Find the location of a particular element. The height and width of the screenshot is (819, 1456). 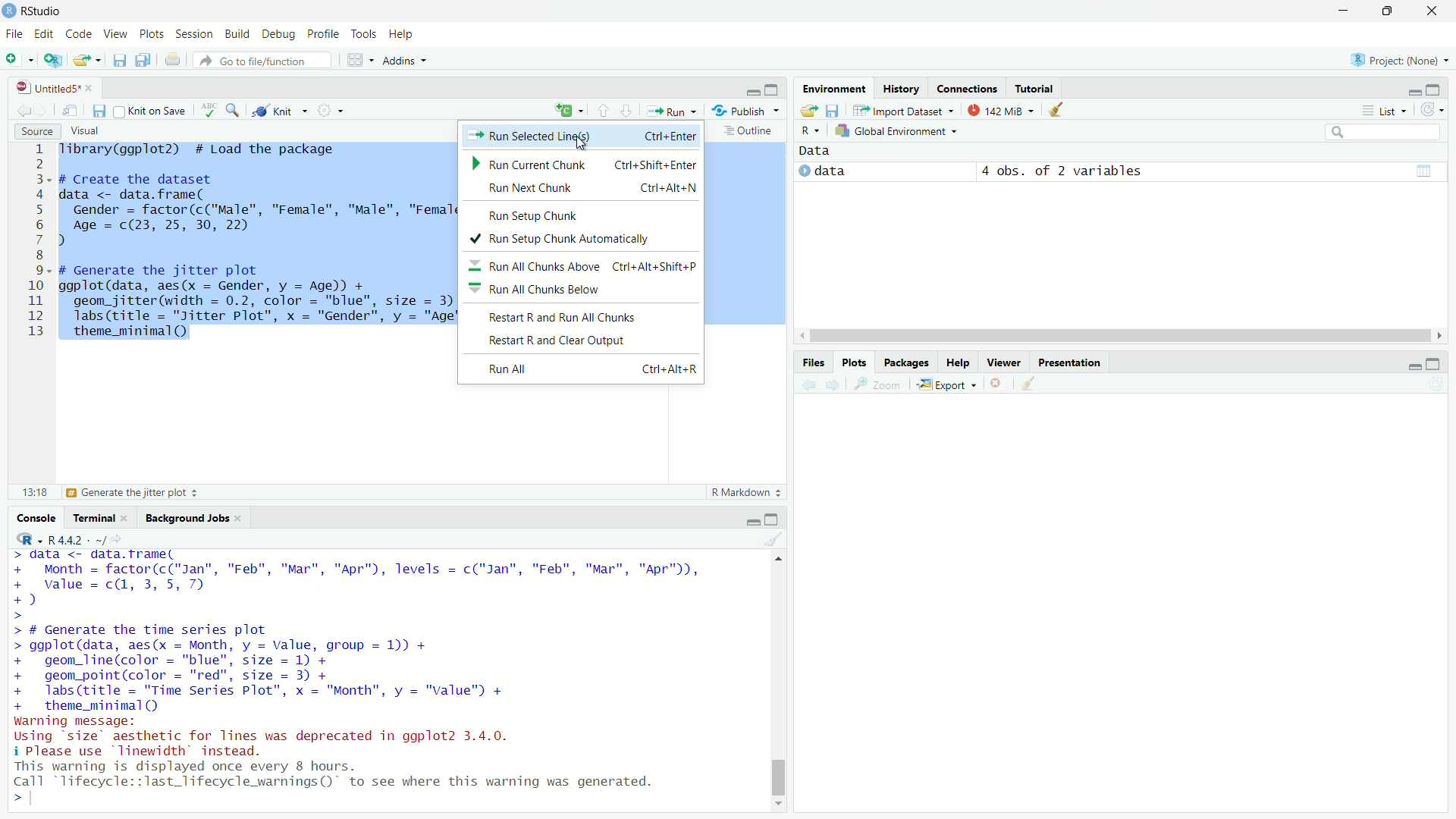

create a project is located at coordinates (54, 58).